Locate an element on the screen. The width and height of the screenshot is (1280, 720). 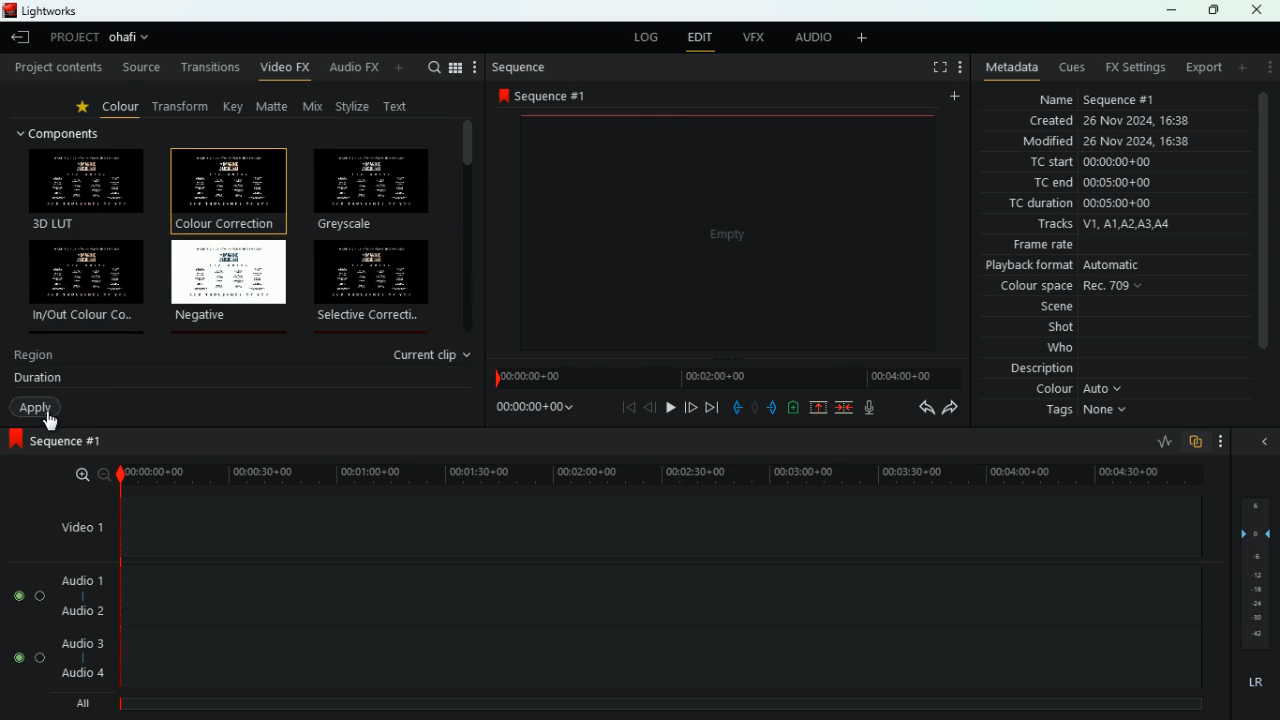
components is located at coordinates (68, 133).